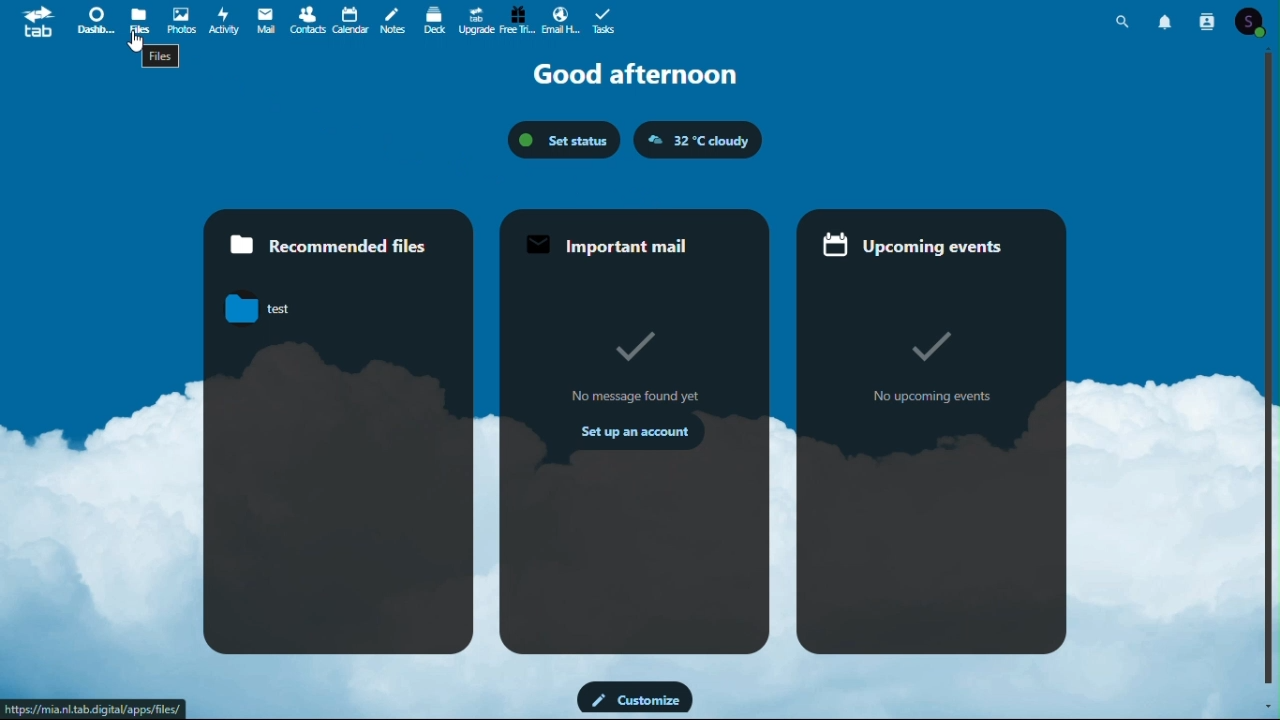 This screenshot has height=720, width=1280. Describe the element at coordinates (603, 19) in the screenshot. I see `tasks` at that location.